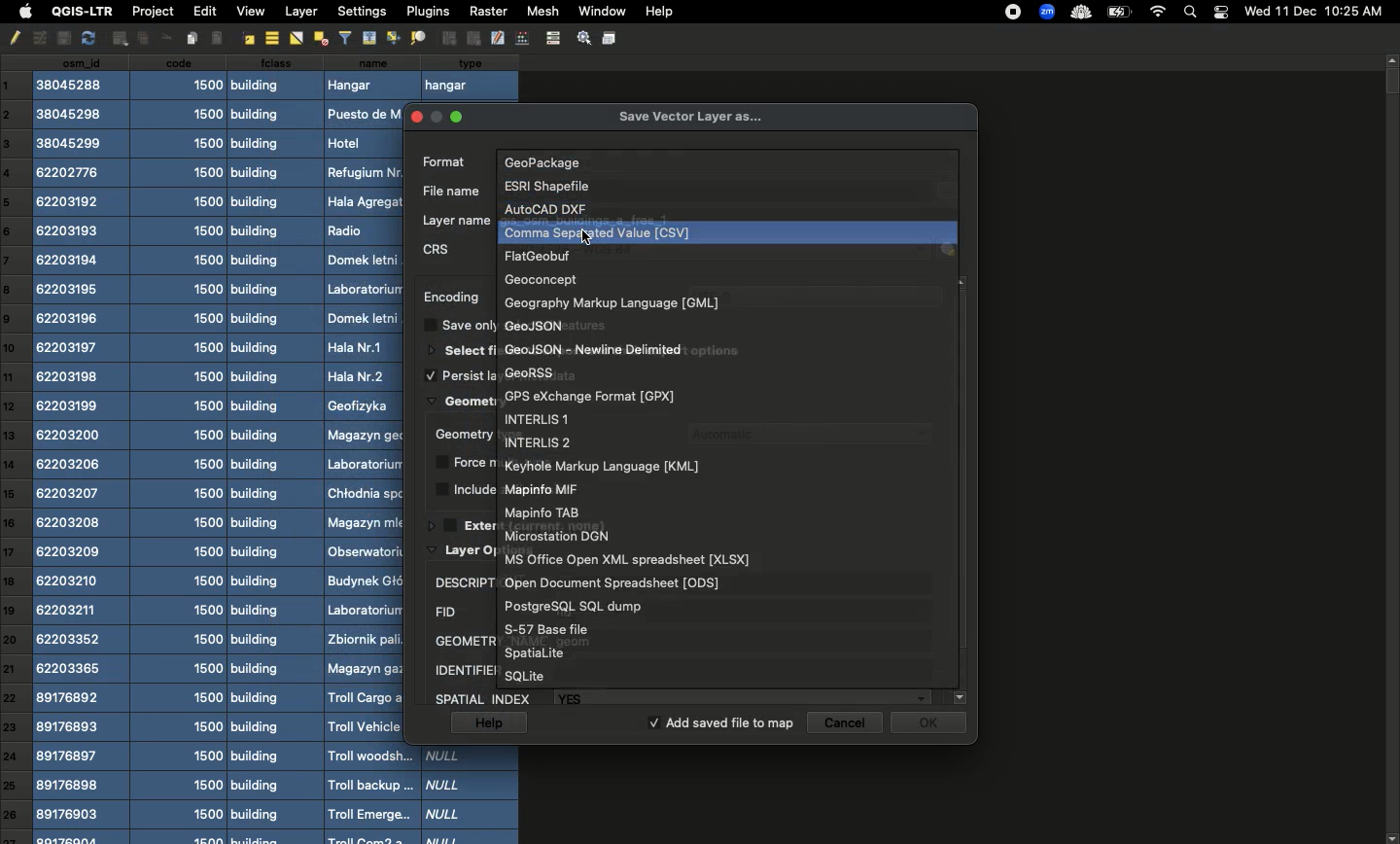  I want to click on Align right, so click(248, 38).